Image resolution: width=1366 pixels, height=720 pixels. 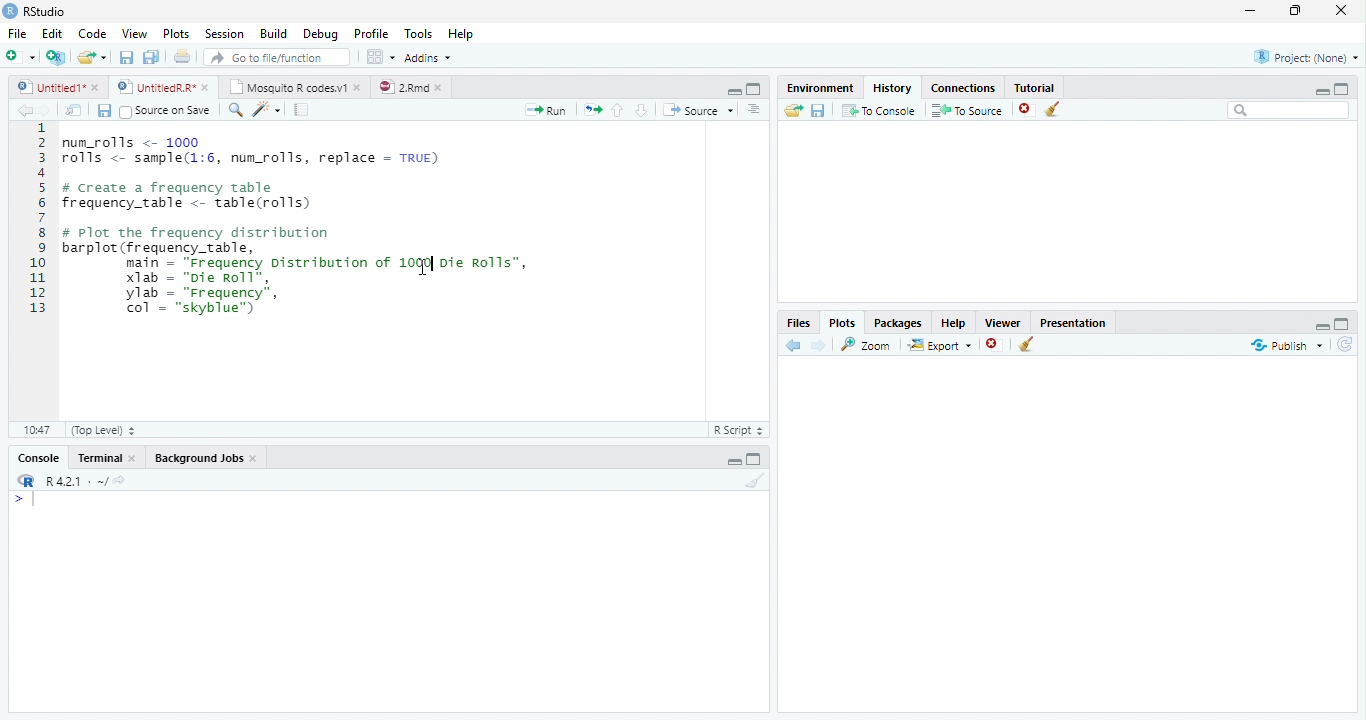 I want to click on | Mosquito R codesv1, so click(x=294, y=87).